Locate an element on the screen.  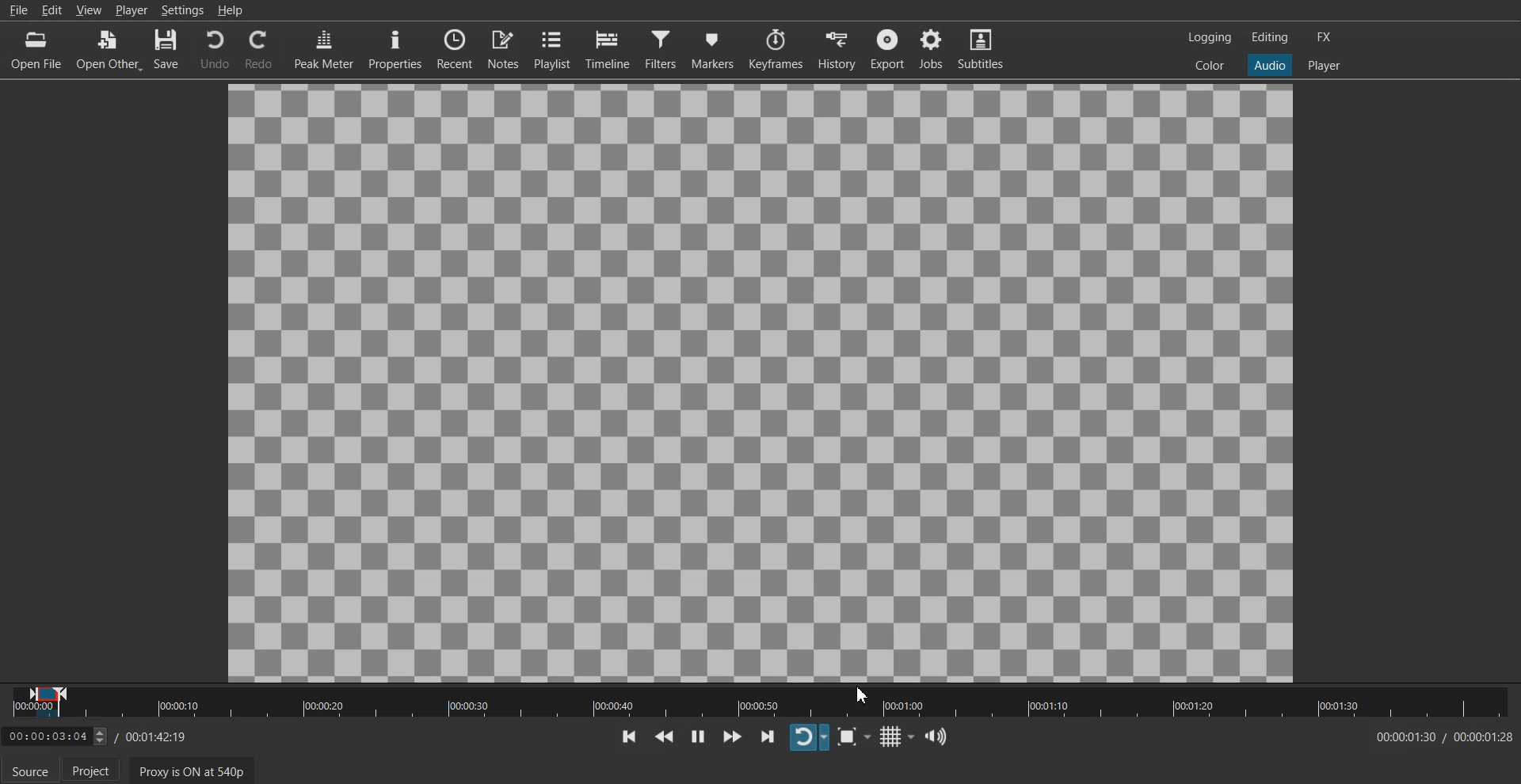
Time is located at coordinates (1439, 737).